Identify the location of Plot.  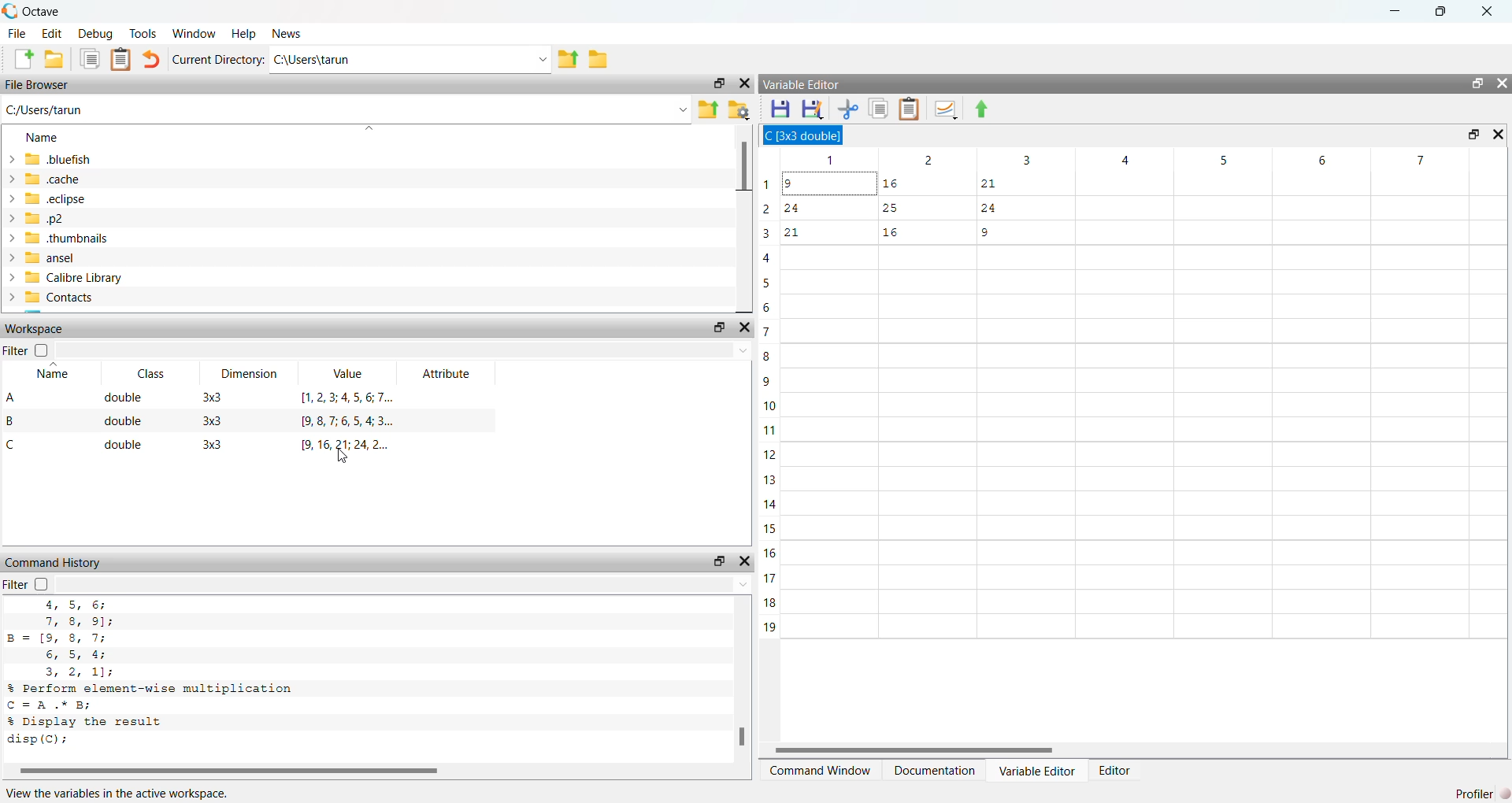
(947, 109).